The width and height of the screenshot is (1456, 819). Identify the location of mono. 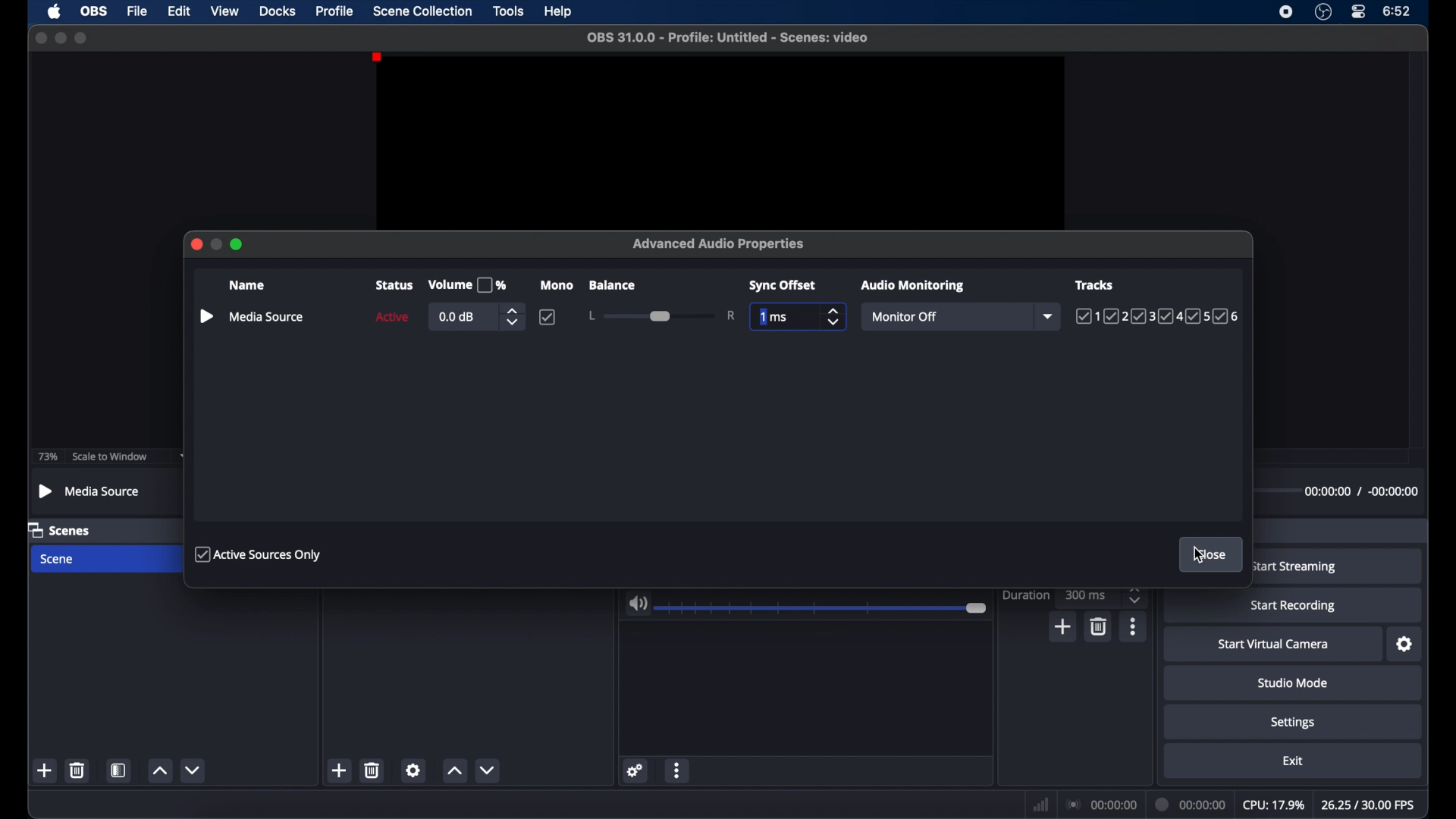
(557, 285).